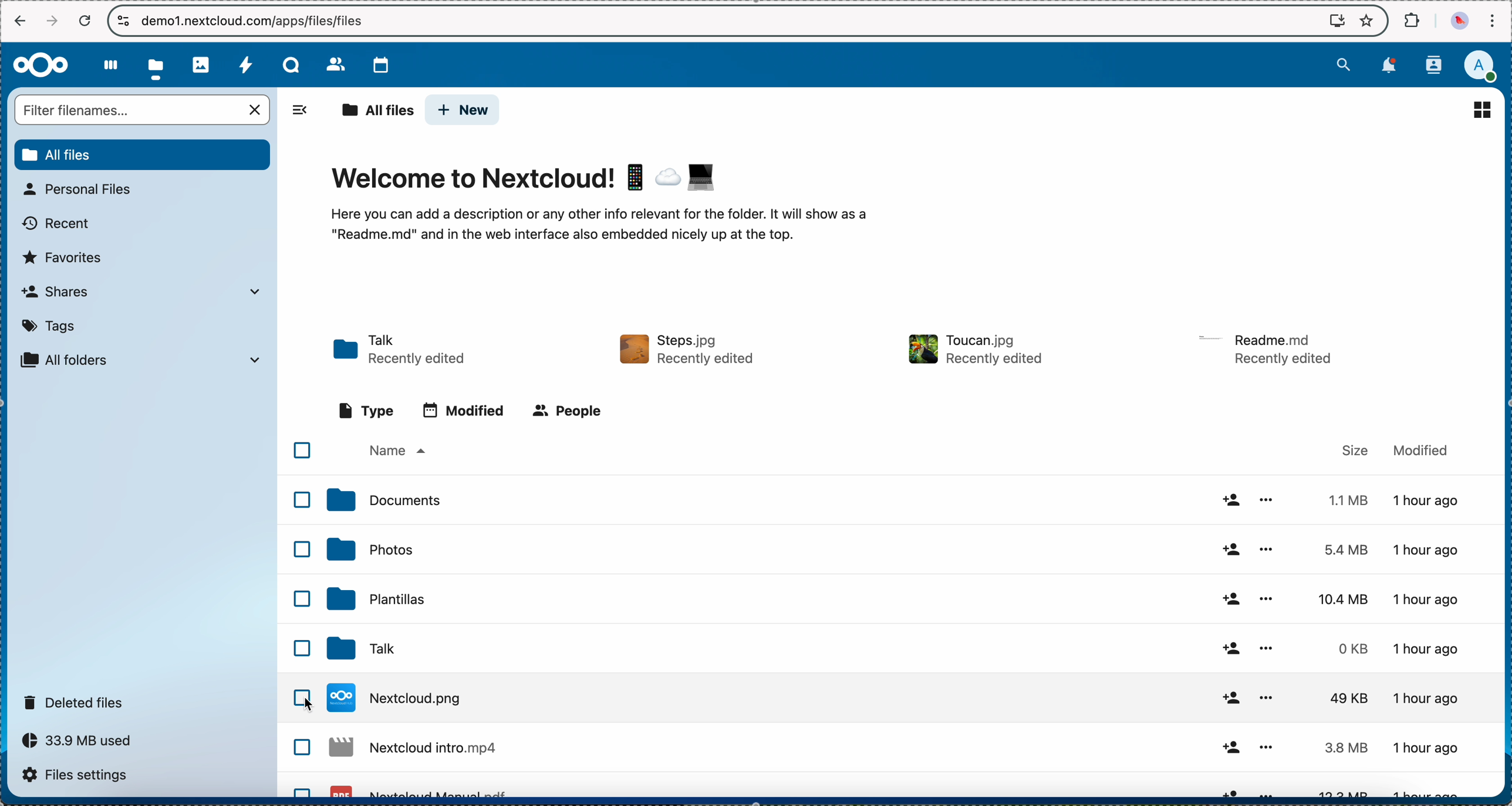 The image size is (1512, 806). I want to click on URL, so click(256, 20).